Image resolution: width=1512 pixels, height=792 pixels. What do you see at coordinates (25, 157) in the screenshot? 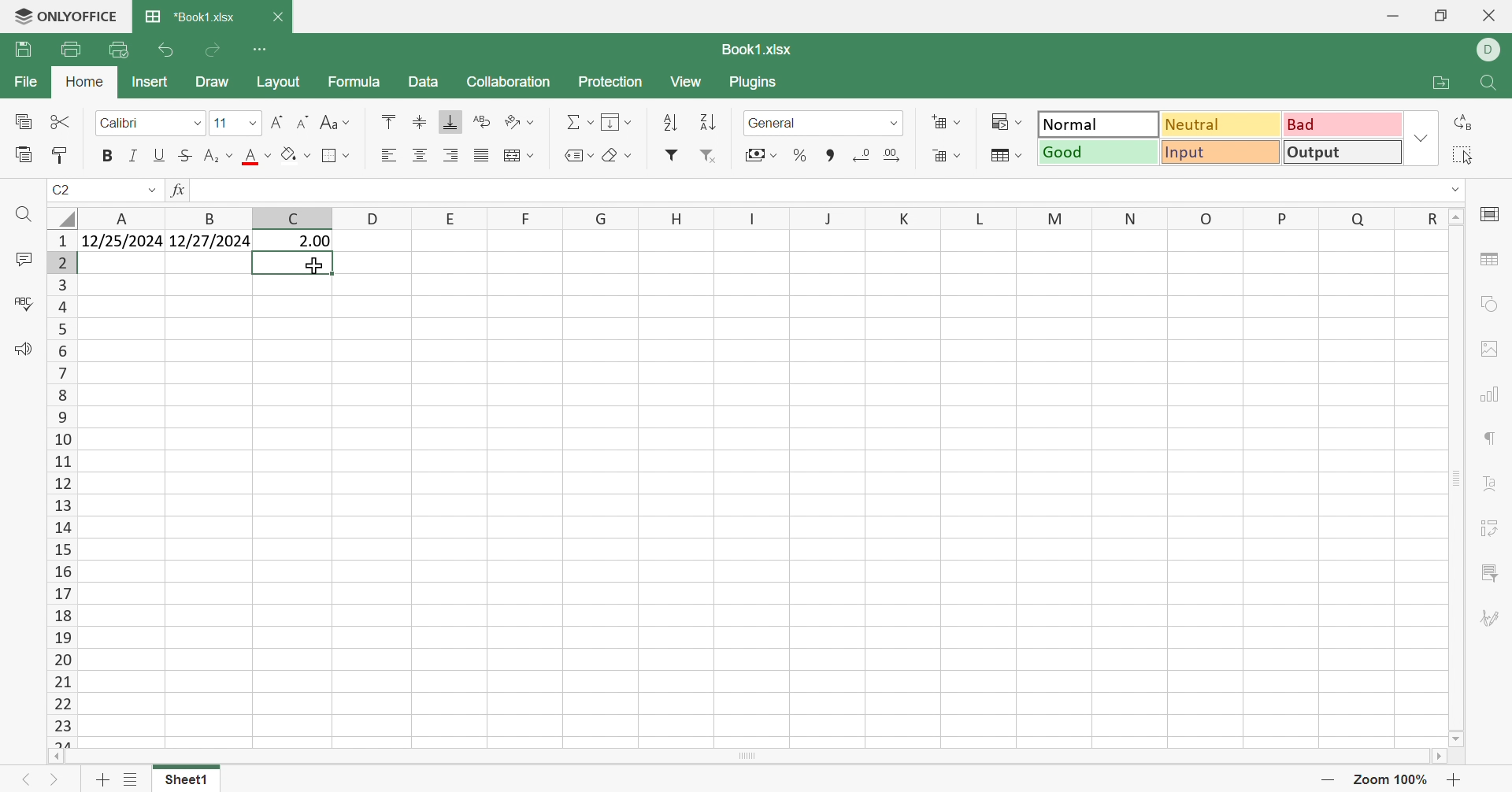
I see `Paste` at bounding box center [25, 157].